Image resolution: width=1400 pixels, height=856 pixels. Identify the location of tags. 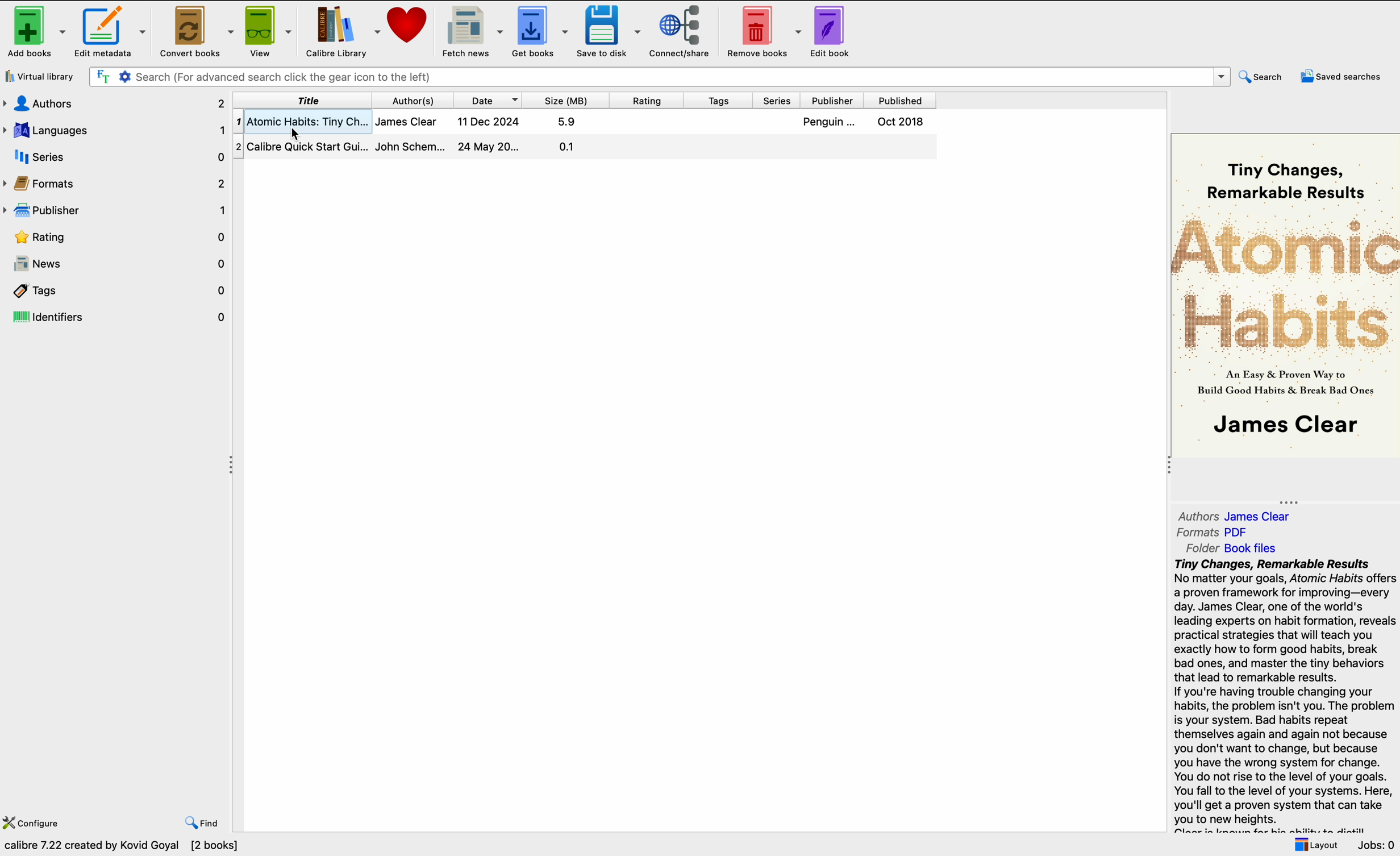
(115, 290).